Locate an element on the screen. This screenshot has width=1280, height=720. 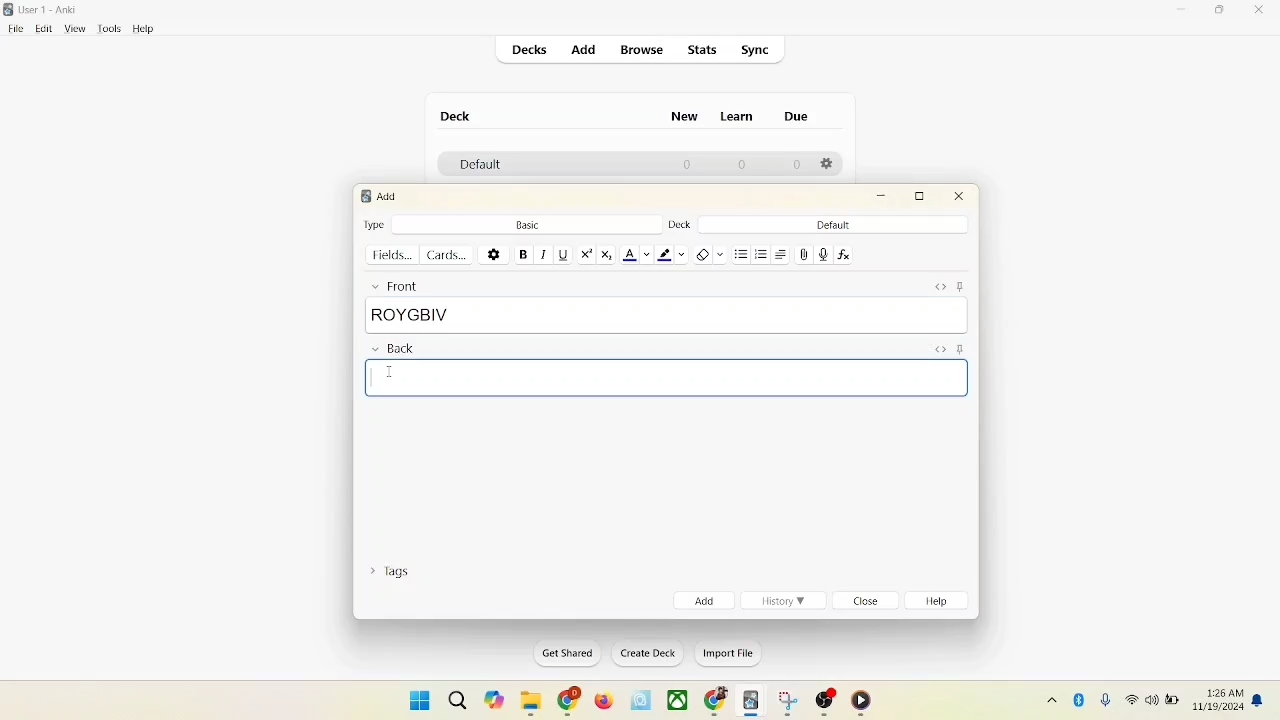
close is located at coordinates (960, 199).